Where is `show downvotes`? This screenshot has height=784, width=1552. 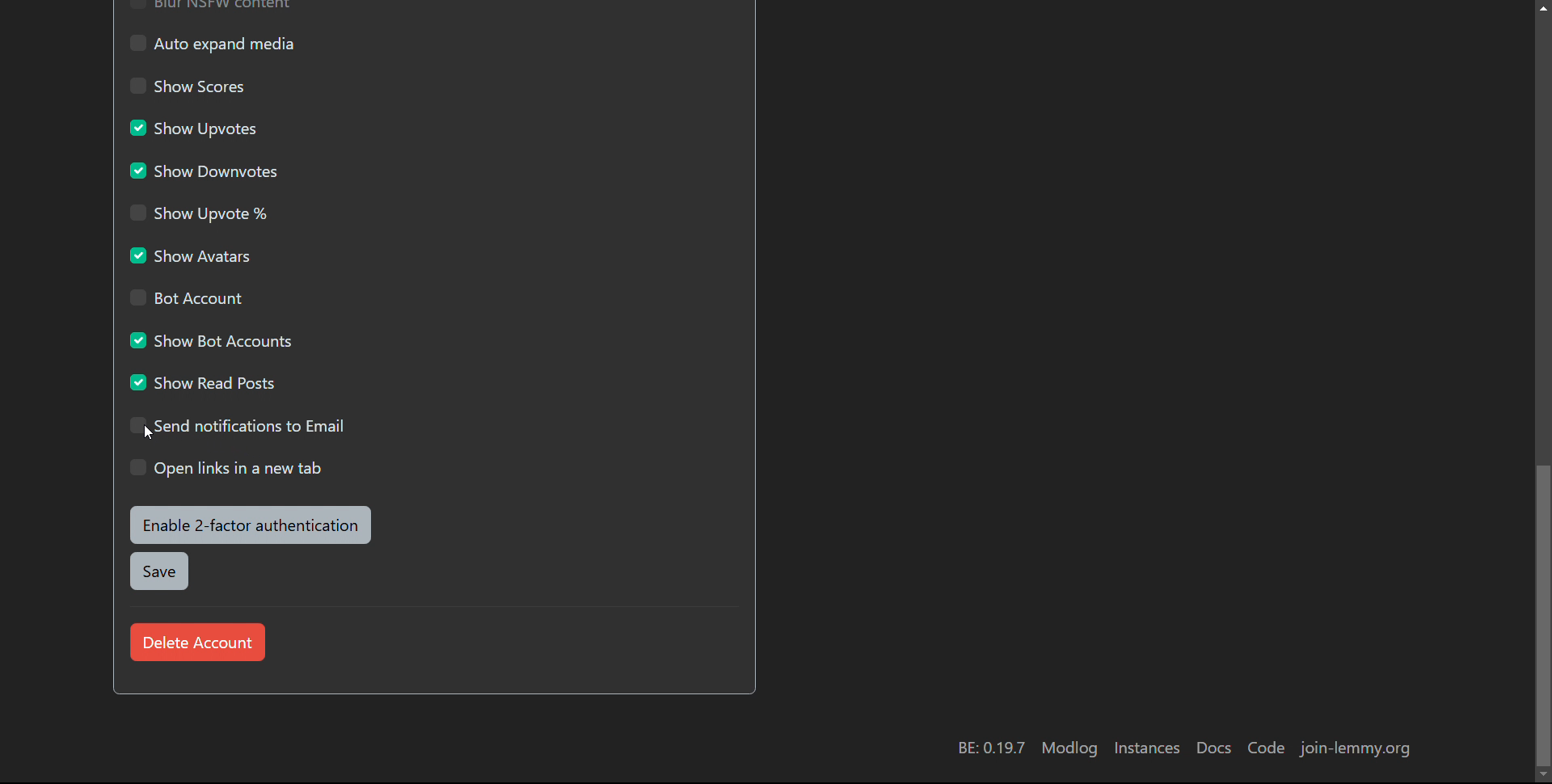
show downvotes is located at coordinates (204, 170).